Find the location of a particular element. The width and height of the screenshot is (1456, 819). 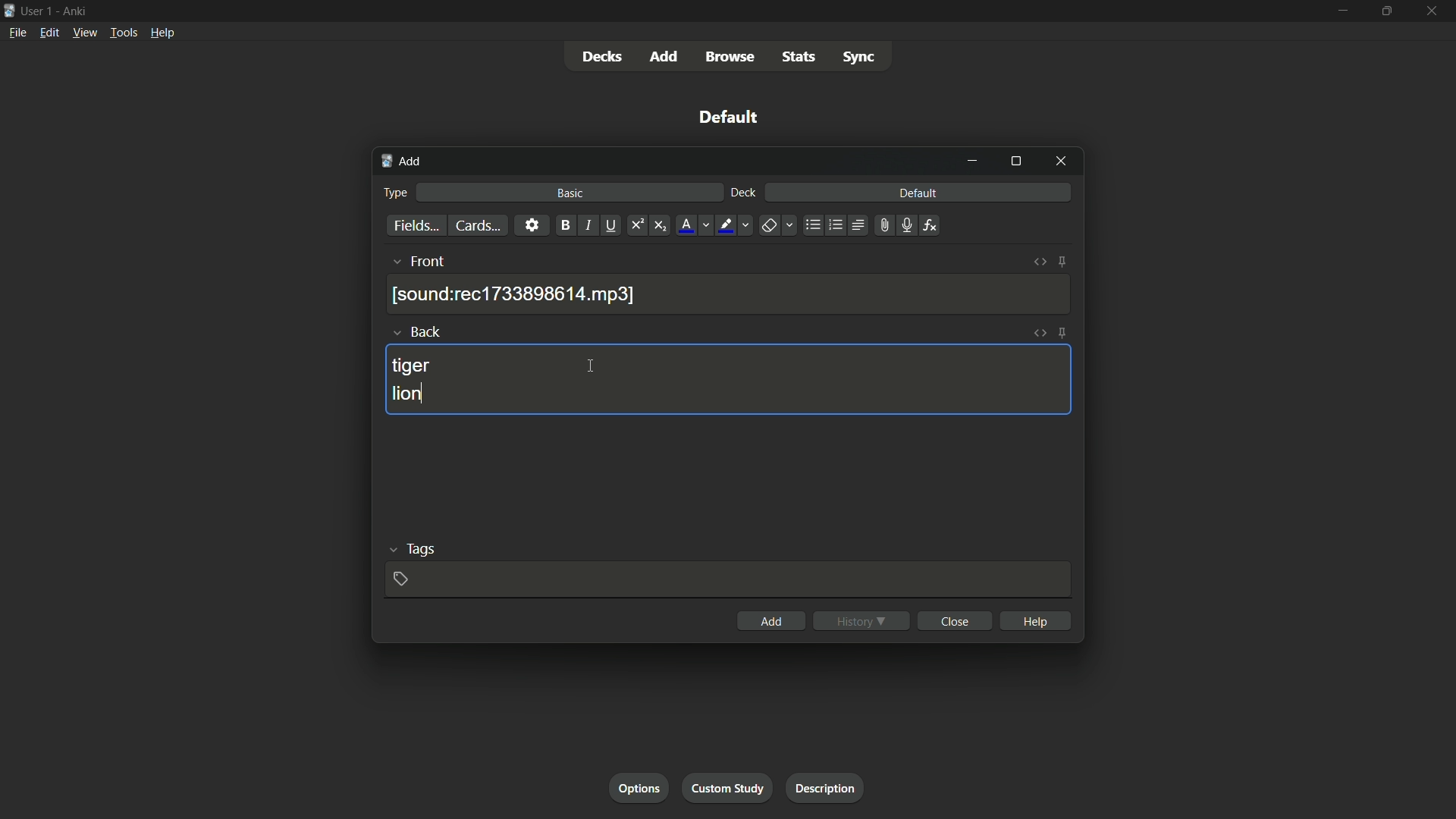

tools menu is located at coordinates (124, 33).